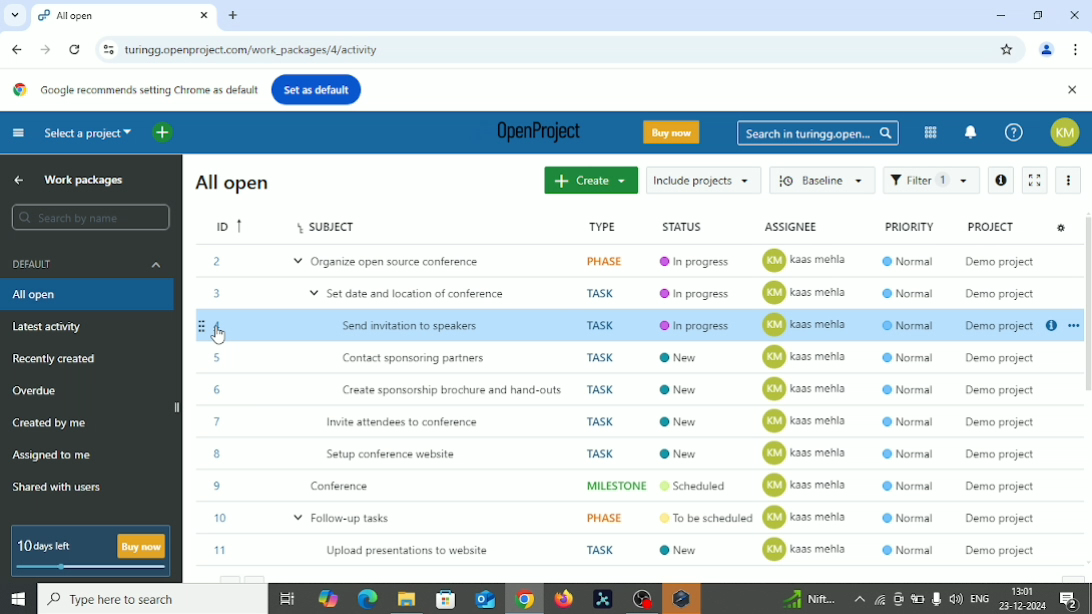  I want to click on Meet now, so click(898, 599).